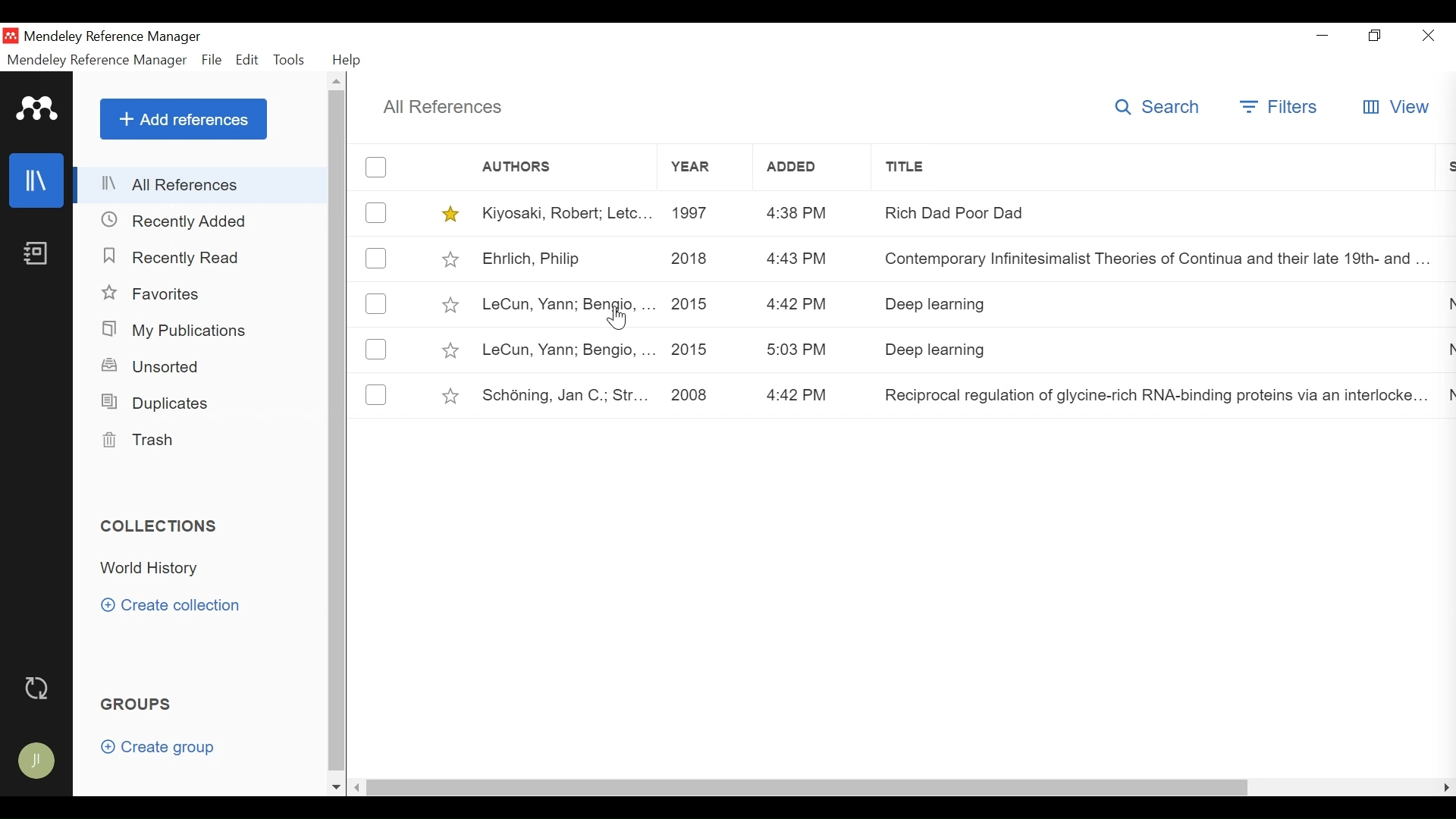 The height and width of the screenshot is (819, 1456). Describe the element at coordinates (179, 331) in the screenshot. I see `My Publications` at that location.